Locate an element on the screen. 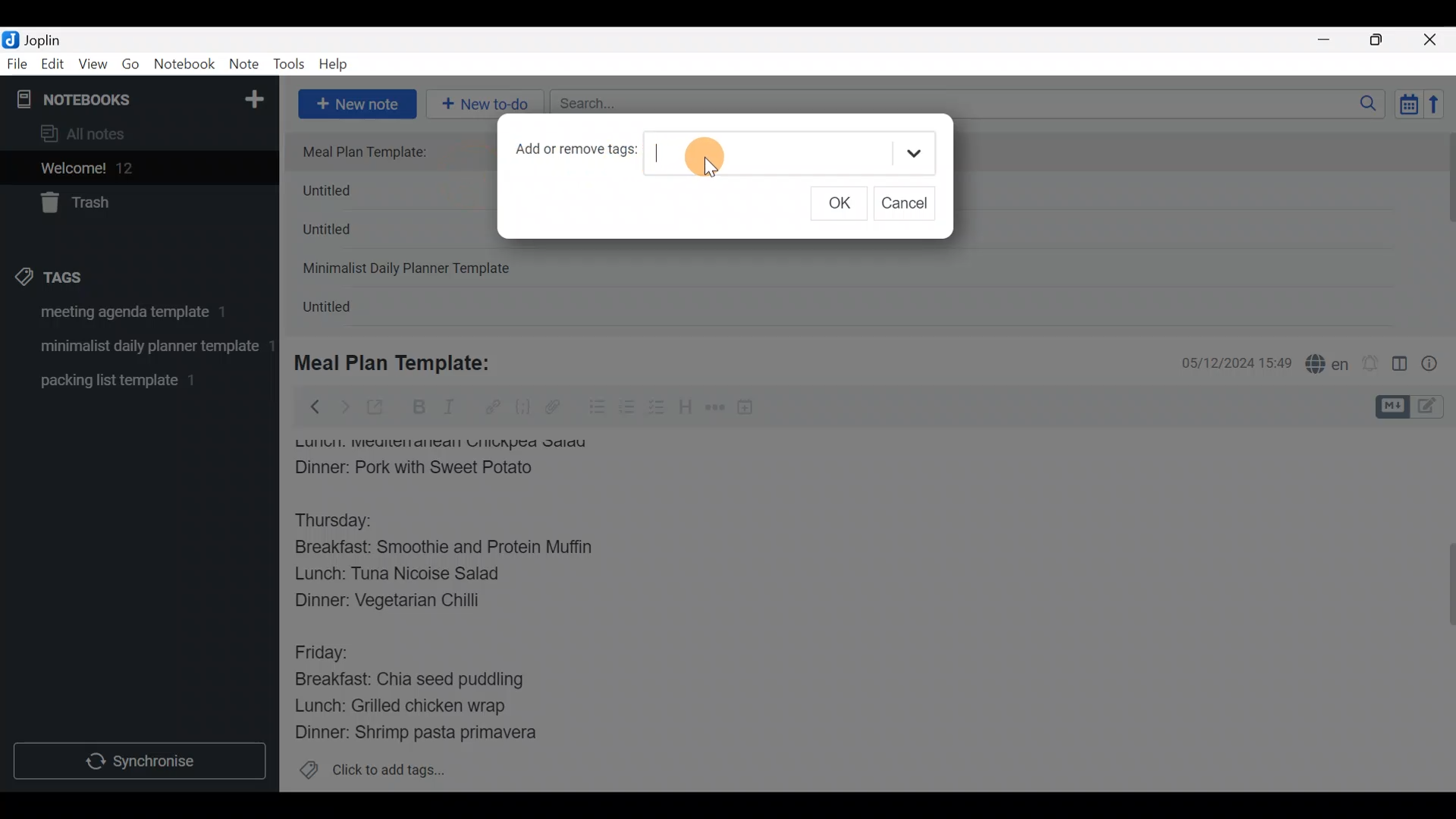 The height and width of the screenshot is (819, 1456). Breakfast: Chia seed puddling is located at coordinates (417, 679).